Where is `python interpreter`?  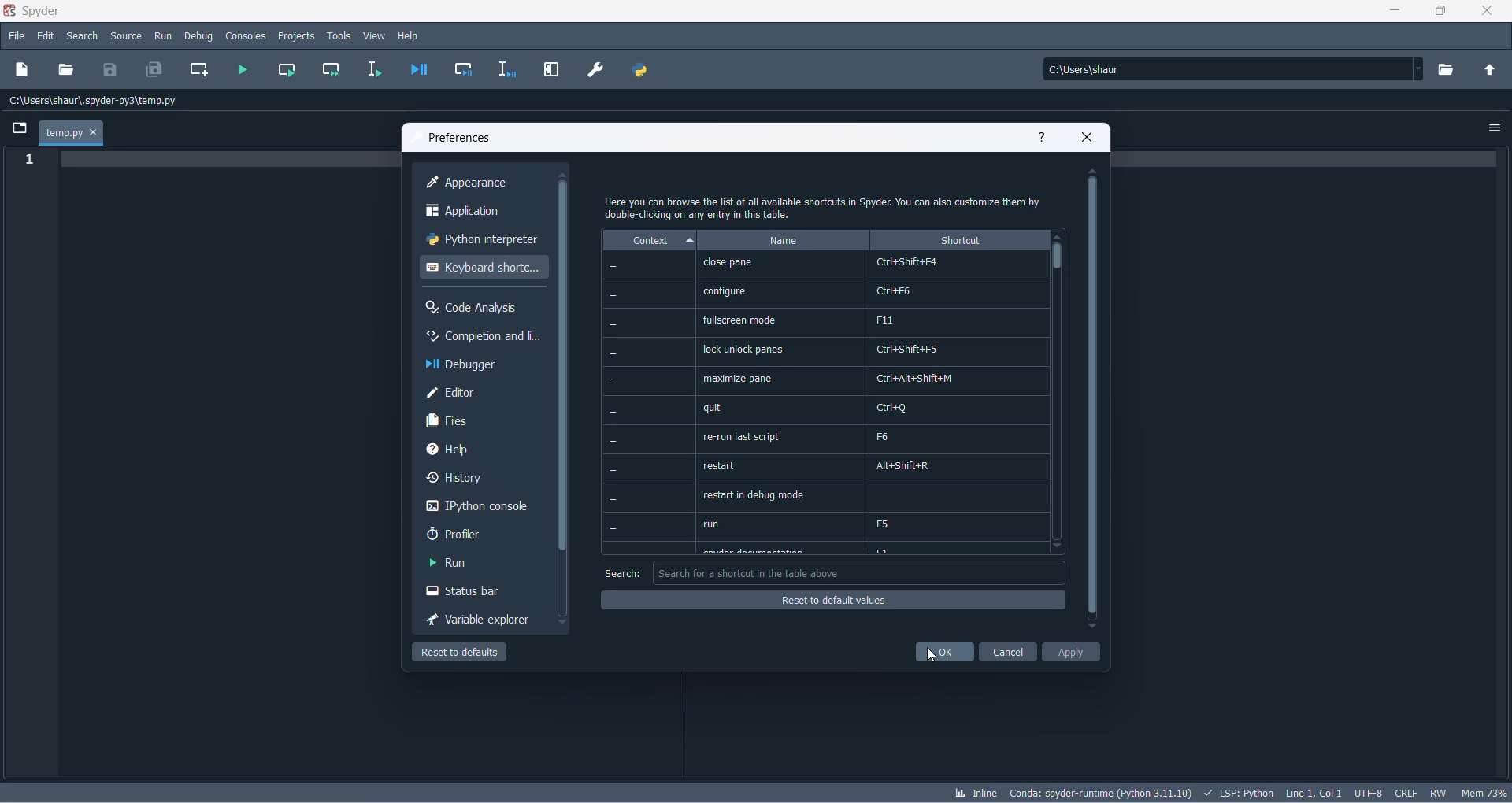 python interpreter is located at coordinates (484, 241).